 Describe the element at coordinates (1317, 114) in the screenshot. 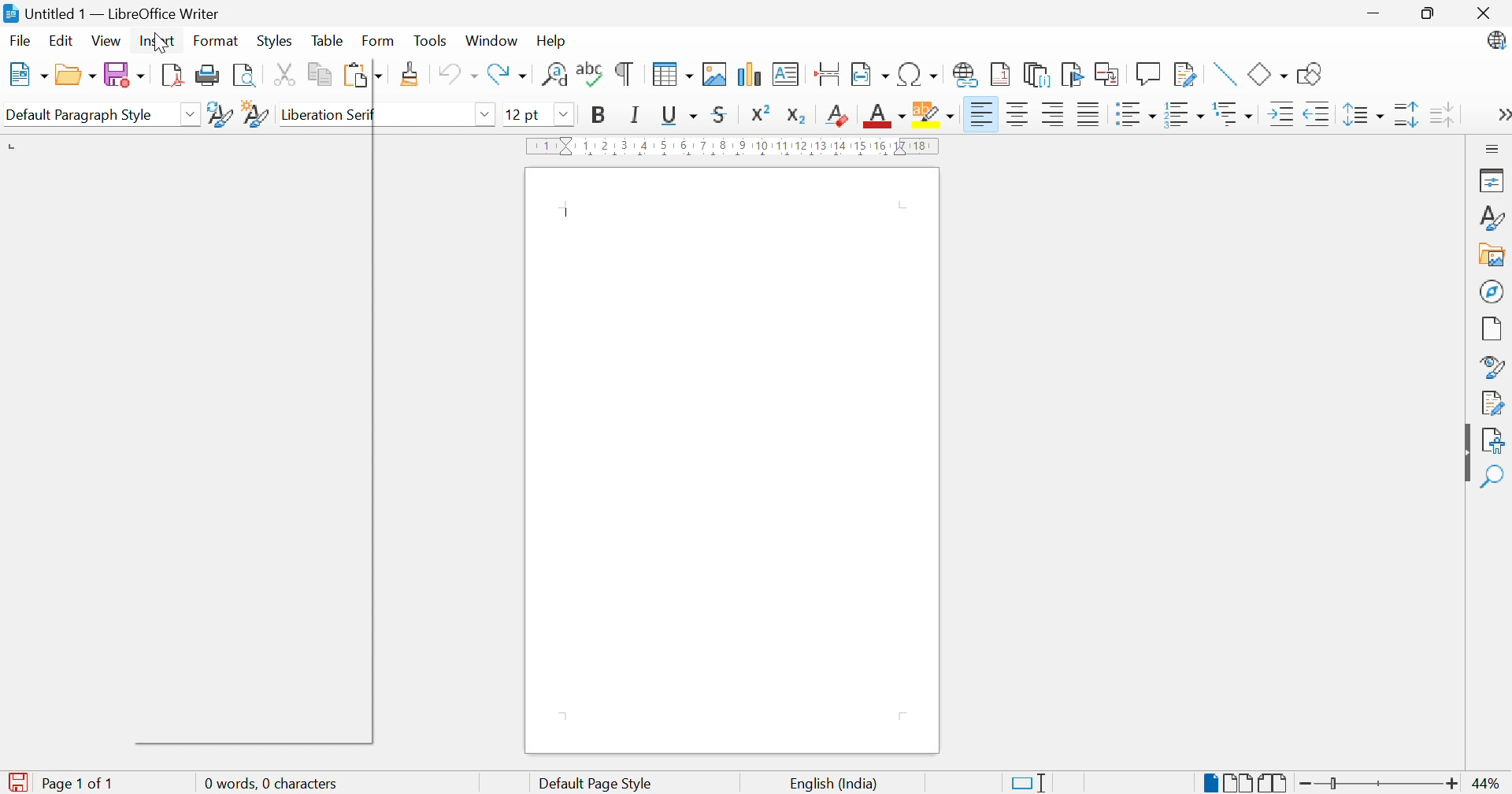

I see `Decrease indent` at that location.